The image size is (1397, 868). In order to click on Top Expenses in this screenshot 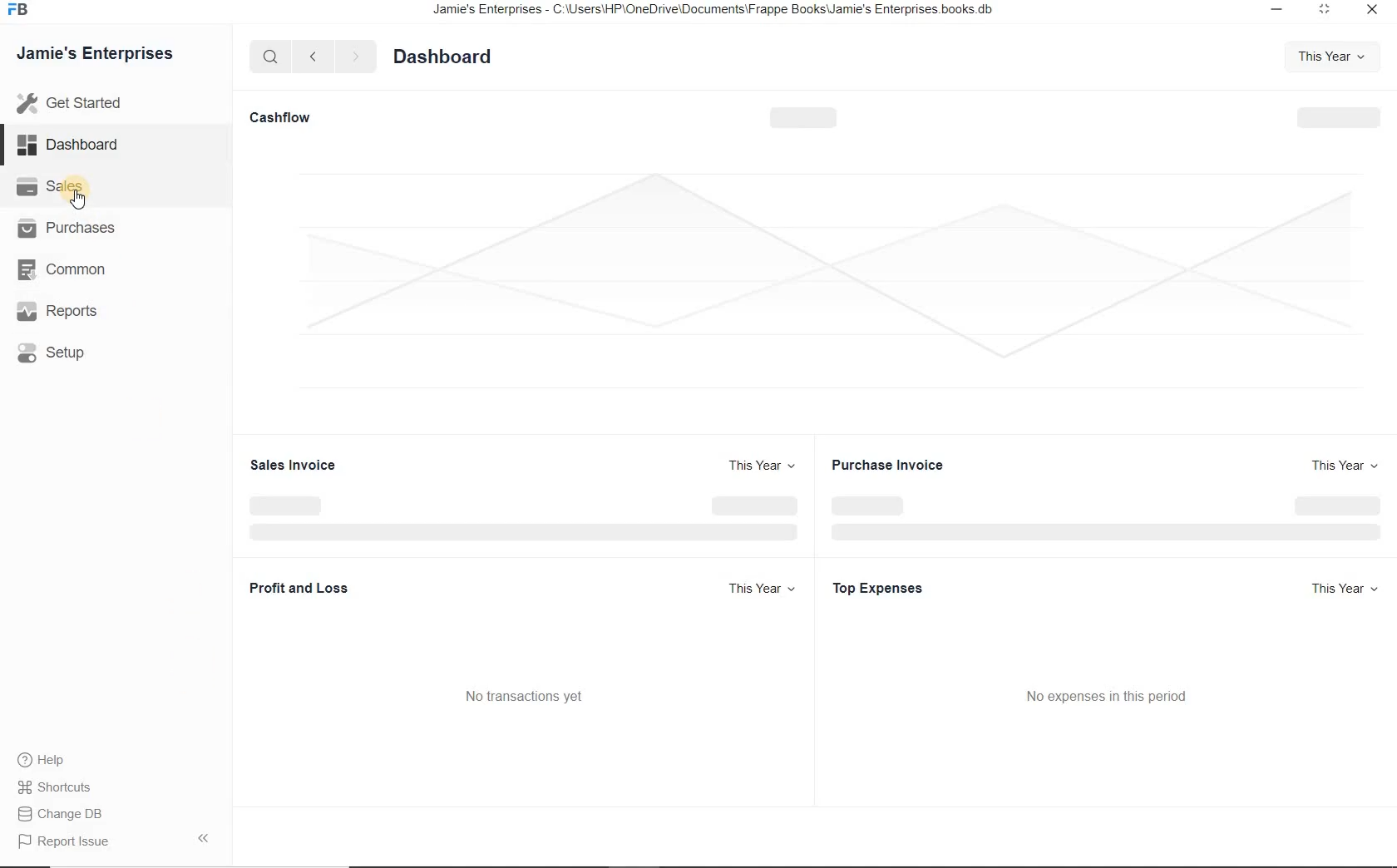, I will do `click(880, 588)`.